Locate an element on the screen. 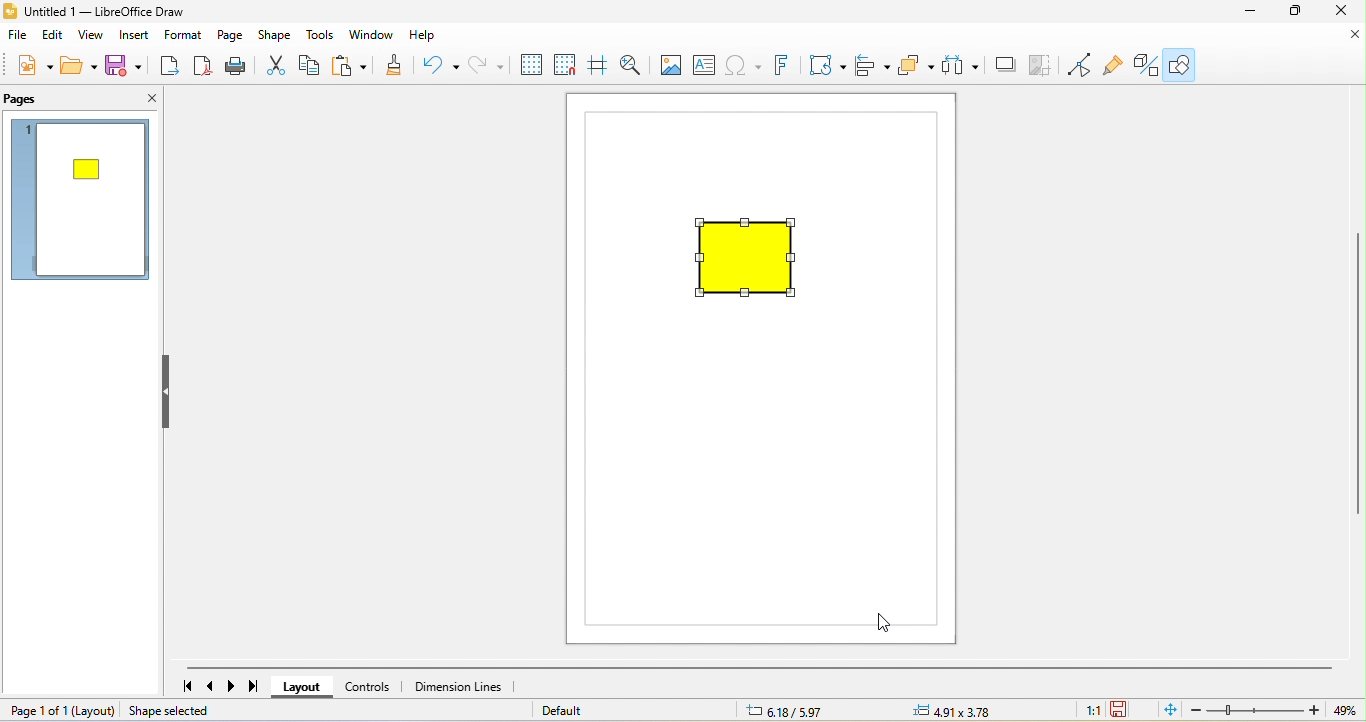 This screenshot has height=722, width=1366. maximize is located at coordinates (1296, 12).